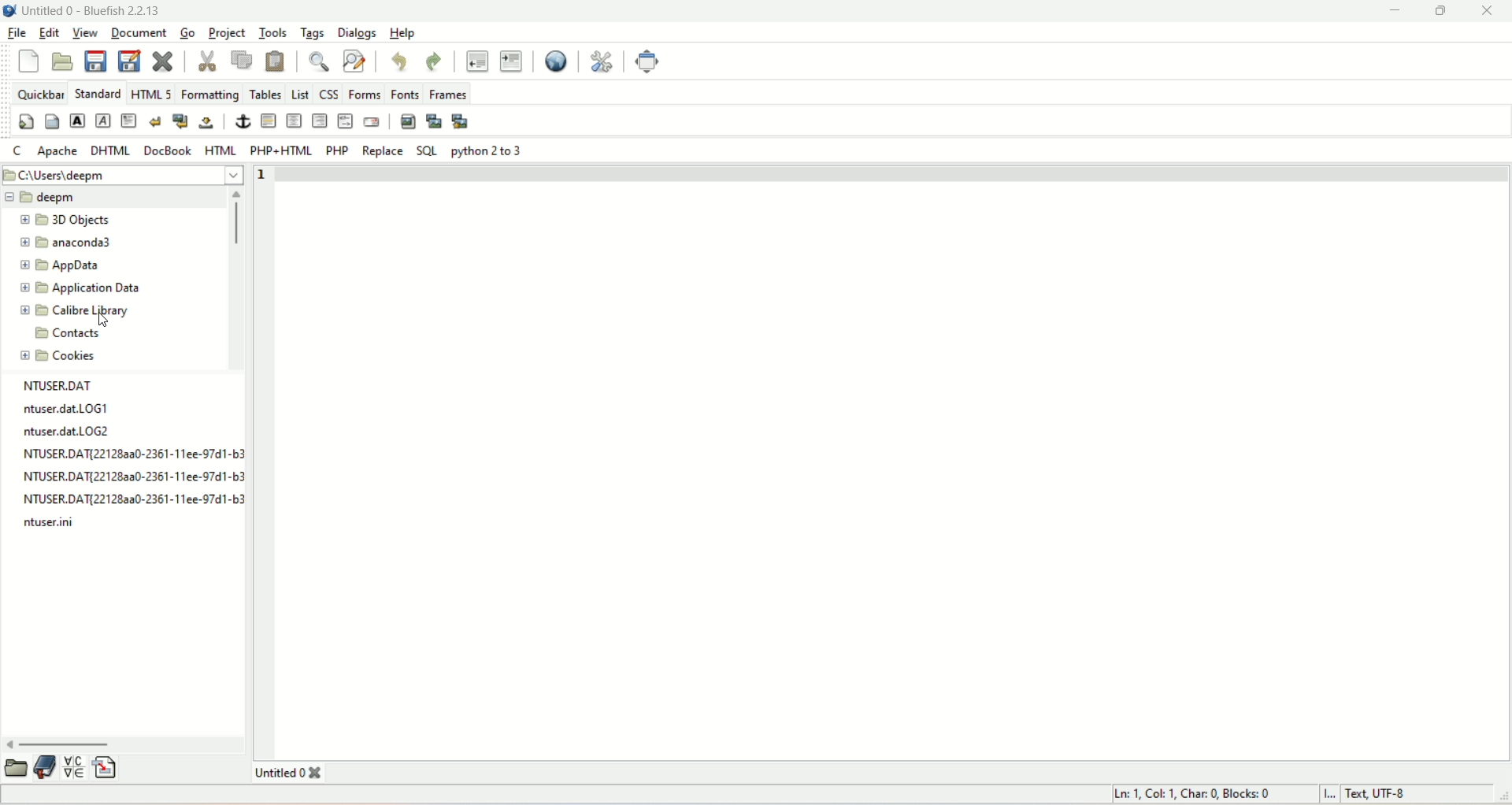 The width and height of the screenshot is (1512, 805). What do you see at coordinates (29, 63) in the screenshot?
I see `new` at bounding box center [29, 63].